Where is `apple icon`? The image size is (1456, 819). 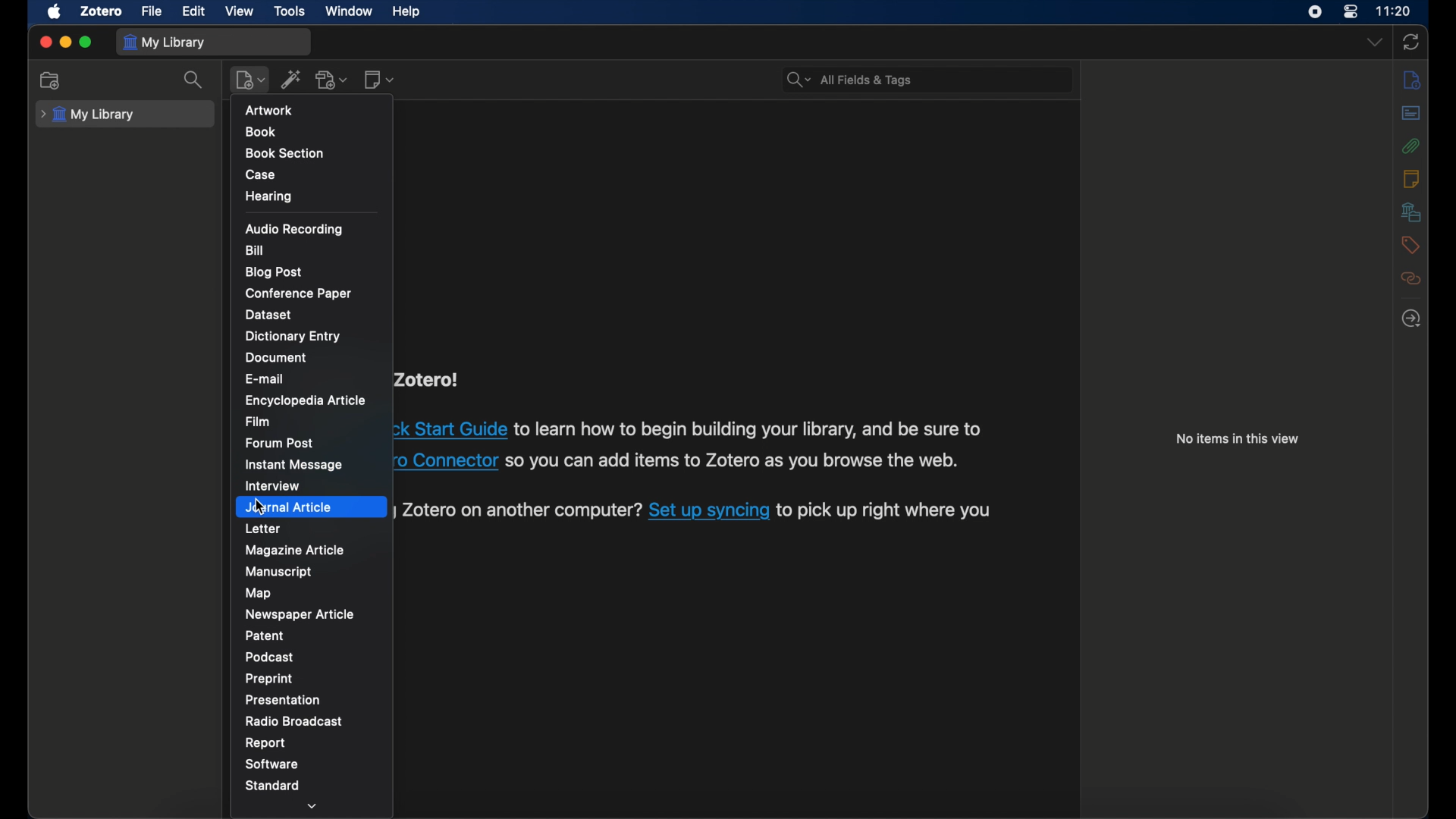 apple icon is located at coordinates (55, 12).